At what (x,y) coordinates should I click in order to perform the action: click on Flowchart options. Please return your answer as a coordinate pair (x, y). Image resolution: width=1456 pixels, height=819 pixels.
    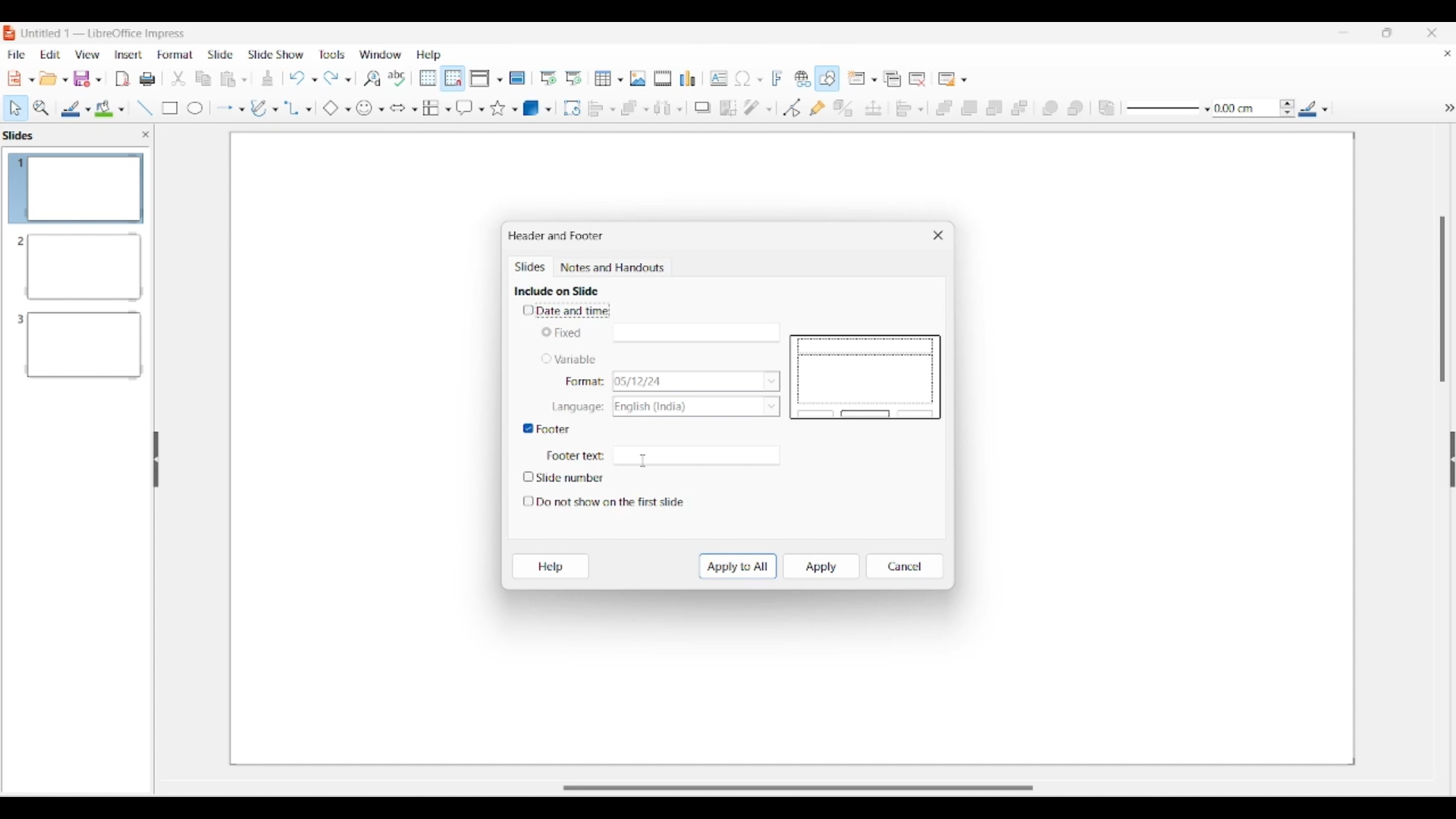
    Looking at the image, I should click on (436, 108).